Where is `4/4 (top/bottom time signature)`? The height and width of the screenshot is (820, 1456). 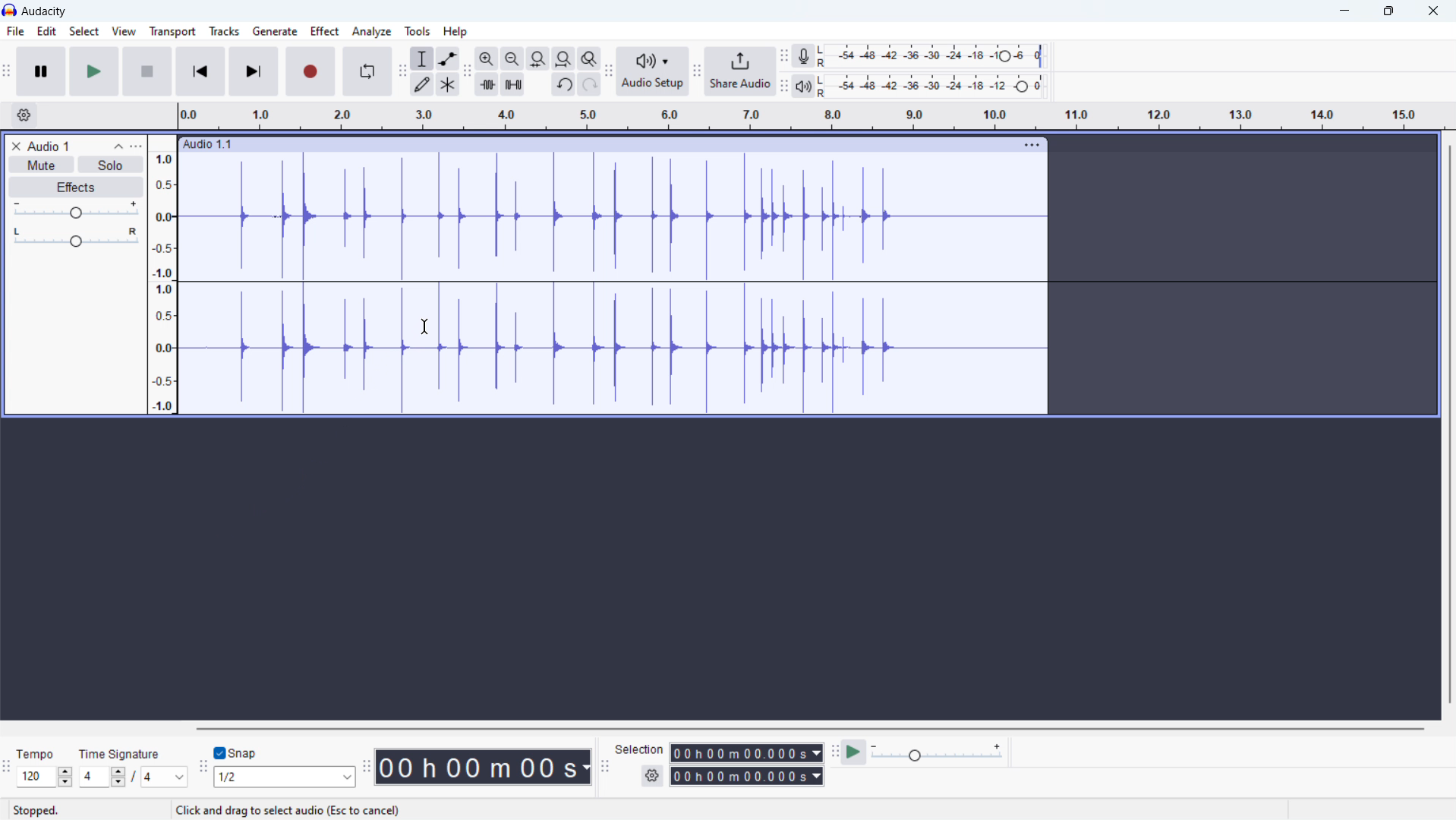 4/4 (top/bottom time signature) is located at coordinates (134, 777).